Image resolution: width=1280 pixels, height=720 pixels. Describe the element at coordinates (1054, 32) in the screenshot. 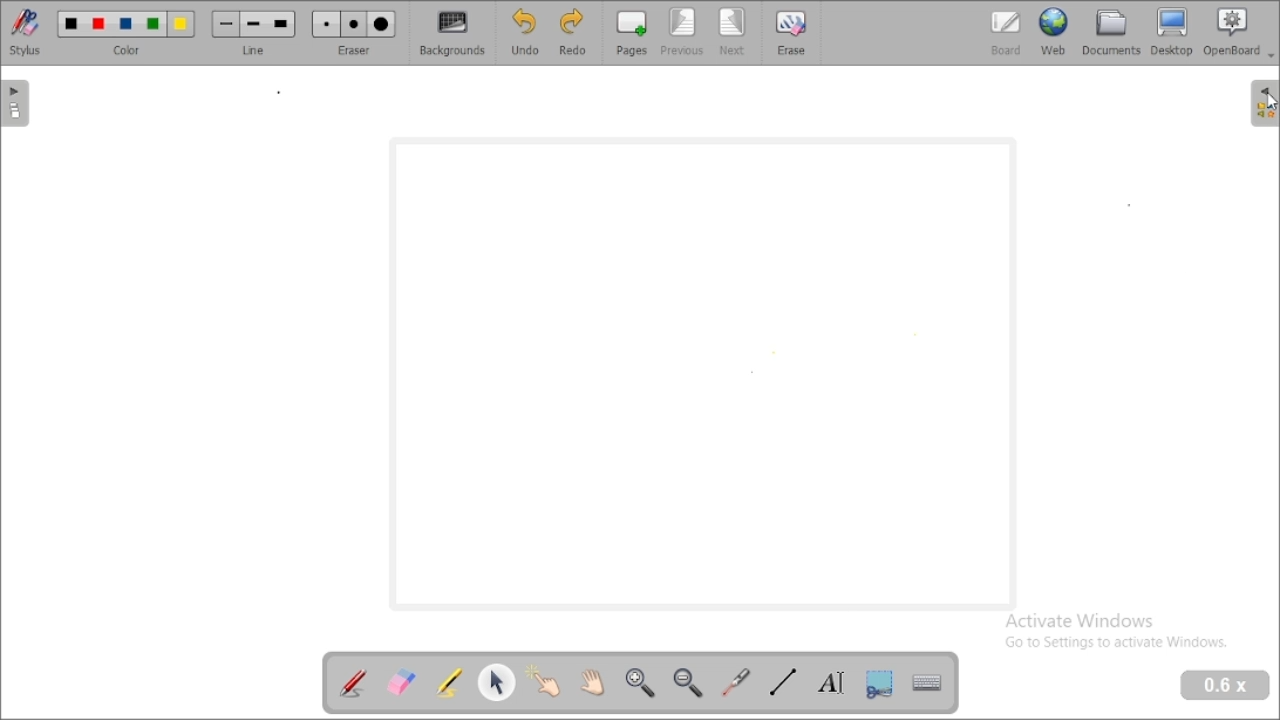

I see `web` at that location.